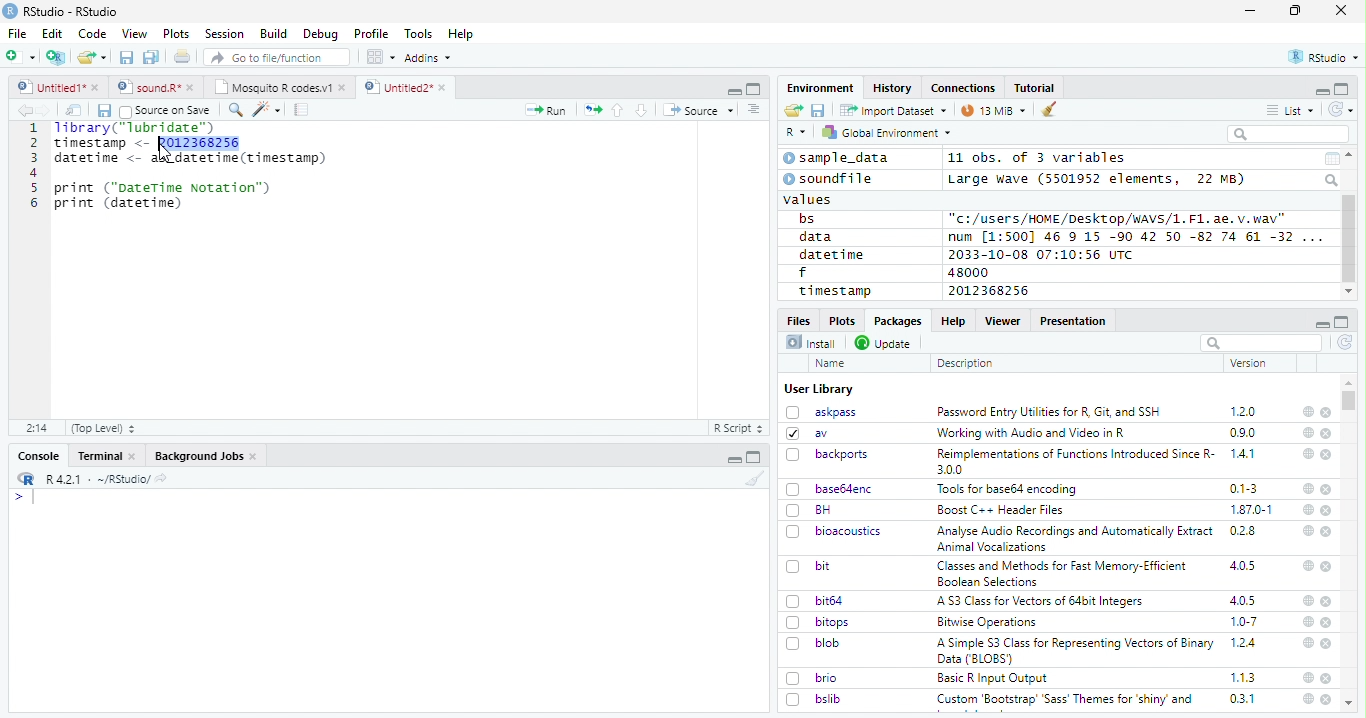  Describe the element at coordinates (1327, 455) in the screenshot. I see `close` at that location.